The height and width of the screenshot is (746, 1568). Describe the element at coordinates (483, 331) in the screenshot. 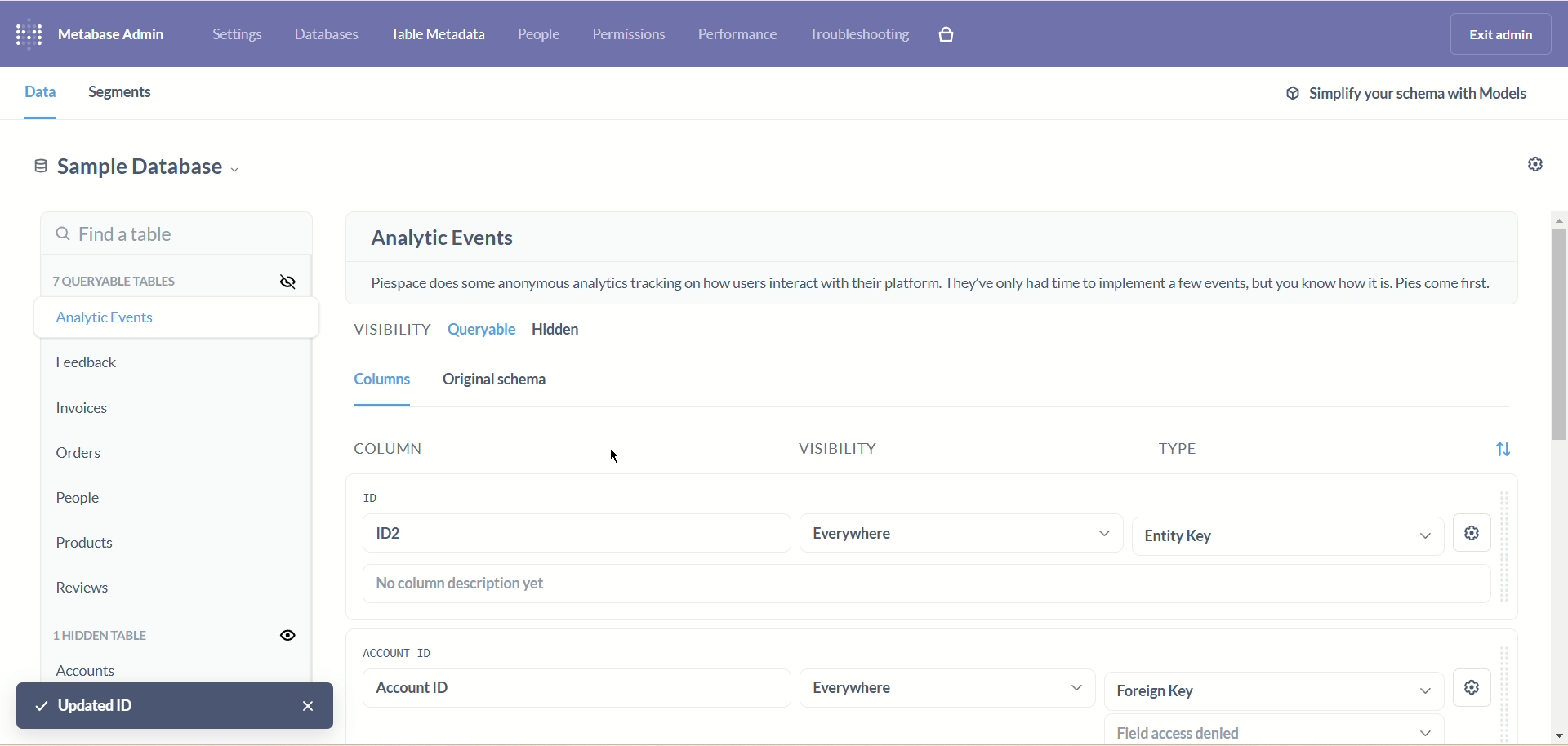

I see `Queryable` at that location.